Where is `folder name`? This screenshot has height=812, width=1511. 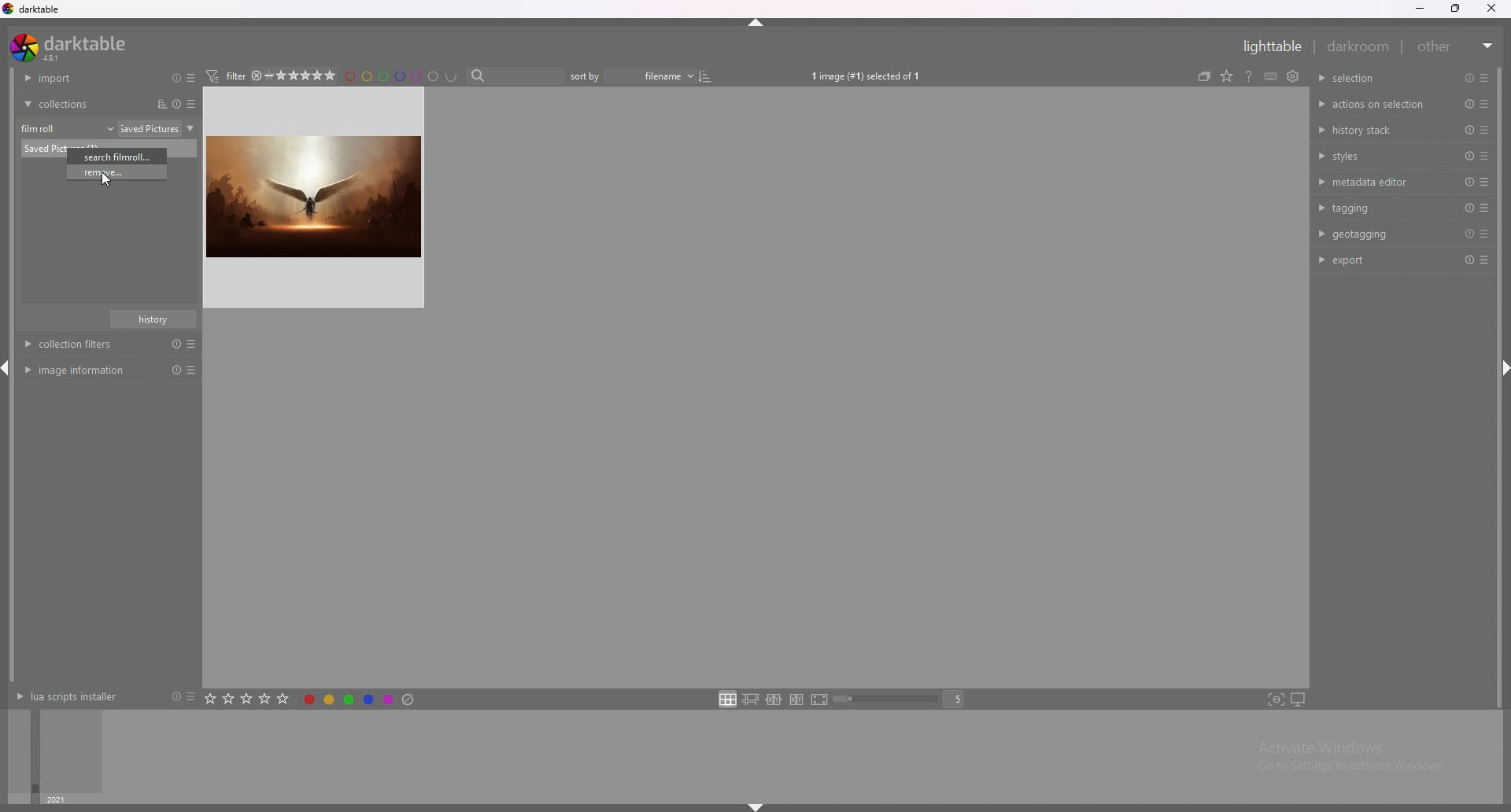 folder name is located at coordinates (160, 128).